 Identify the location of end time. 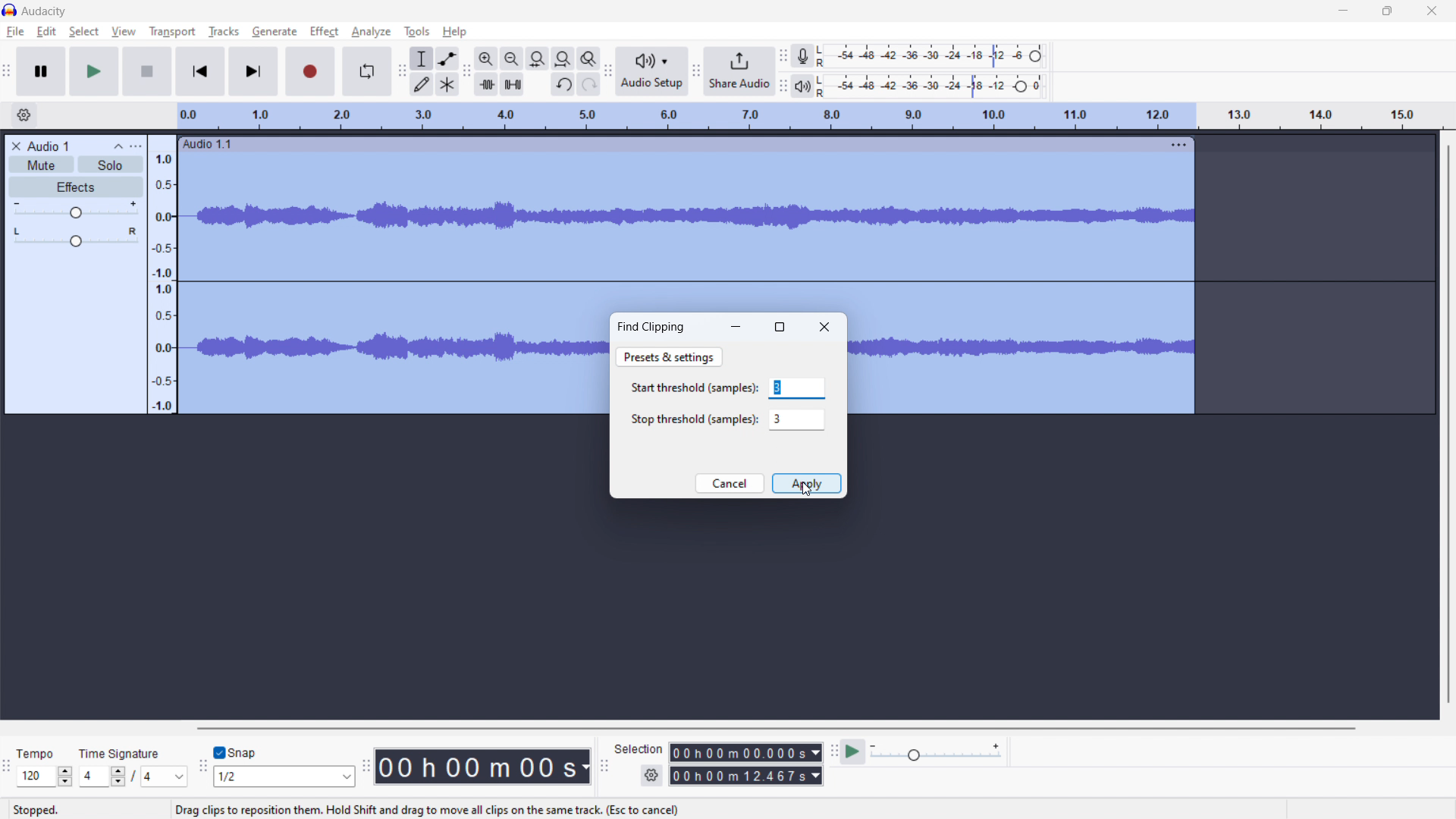
(745, 775).